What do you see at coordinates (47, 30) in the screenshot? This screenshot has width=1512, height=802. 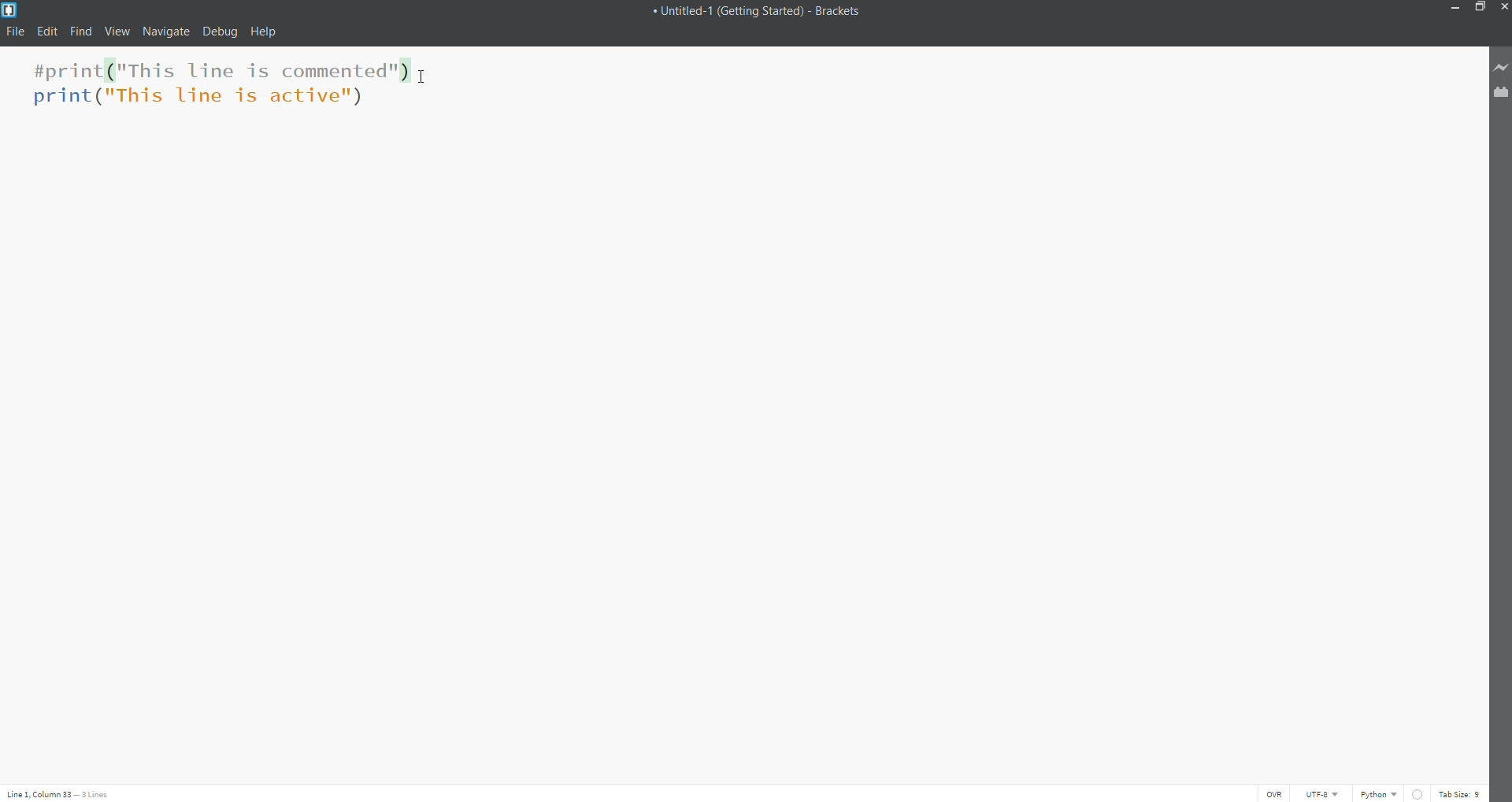 I see `Edit` at bounding box center [47, 30].